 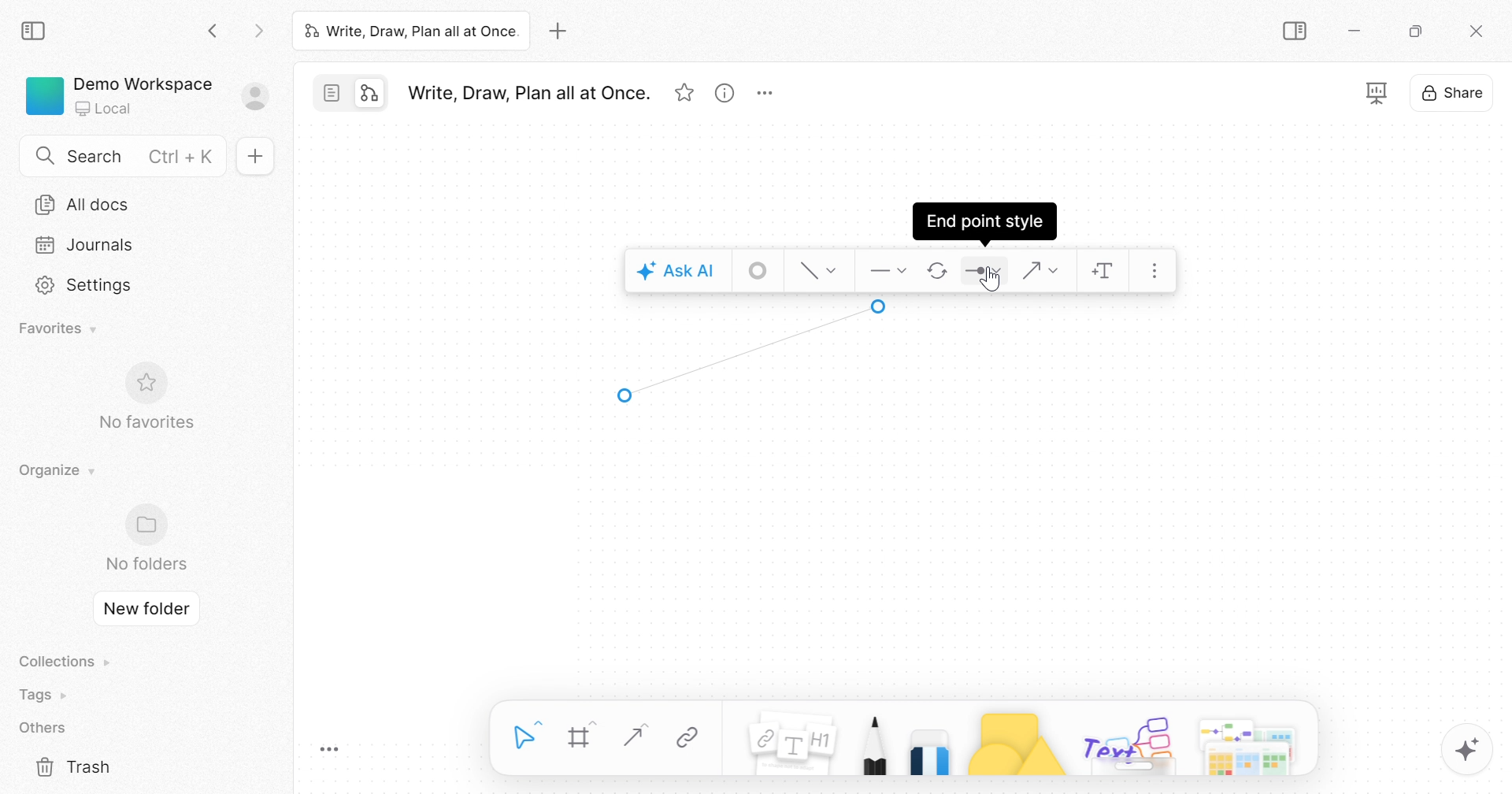 What do you see at coordinates (330, 751) in the screenshot?
I see `Toggle Zoom Tool Bar` at bounding box center [330, 751].